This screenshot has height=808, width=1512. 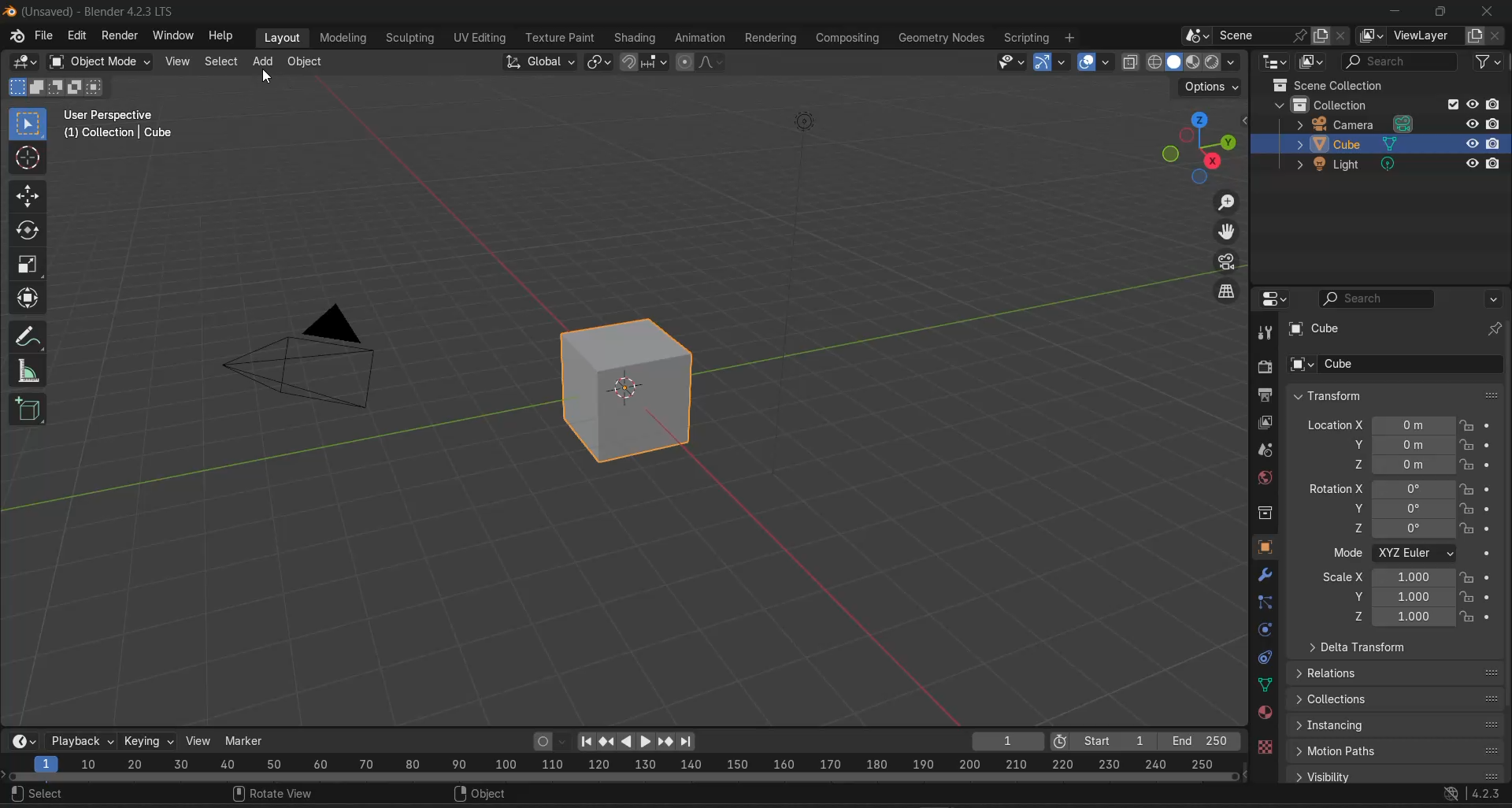 What do you see at coordinates (1380, 489) in the screenshot?
I see `rotation x` at bounding box center [1380, 489].